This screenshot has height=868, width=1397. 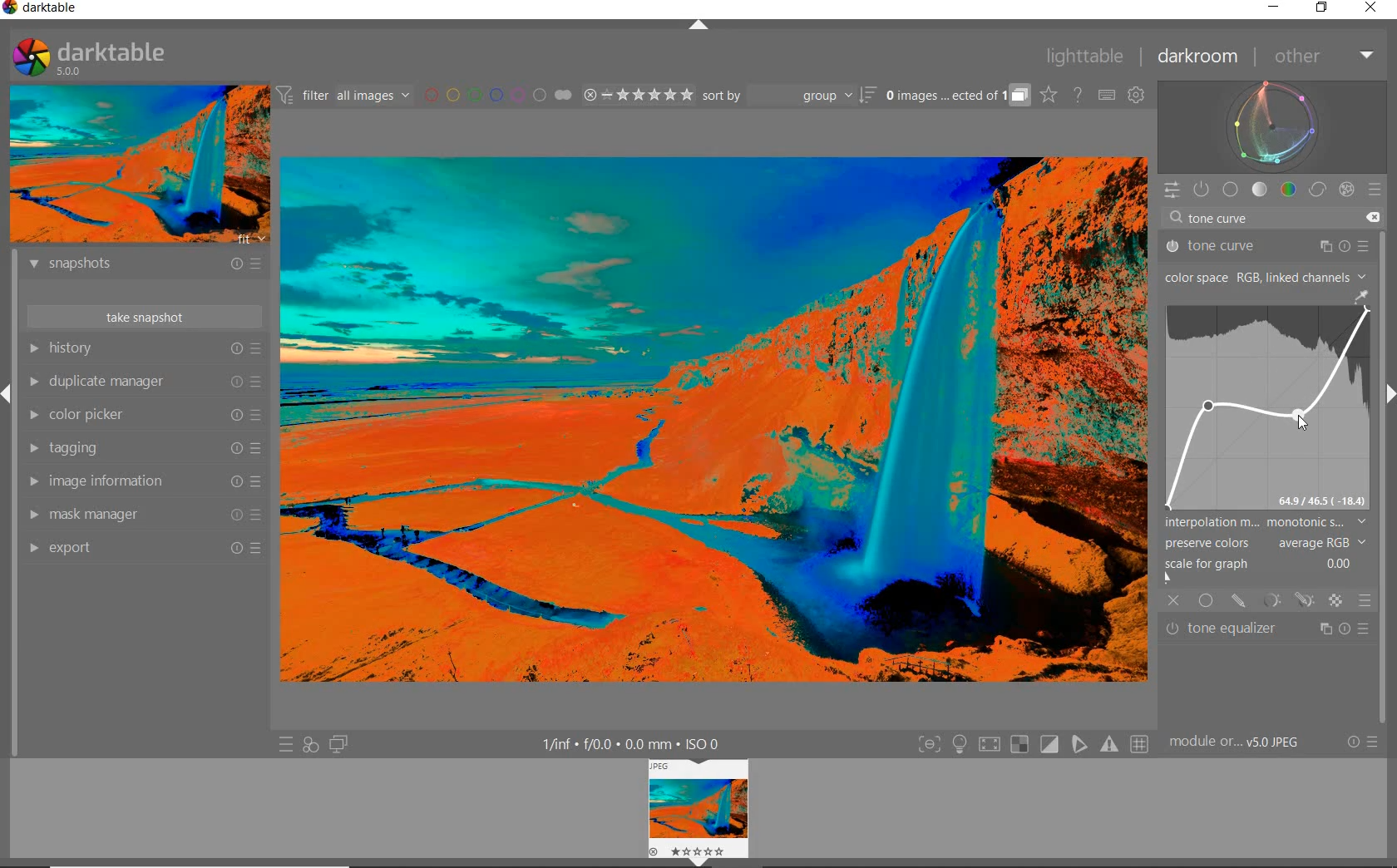 What do you see at coordinates (143, 415) in the screenshot?
I see `color picker` at bounding box center [143, 415].